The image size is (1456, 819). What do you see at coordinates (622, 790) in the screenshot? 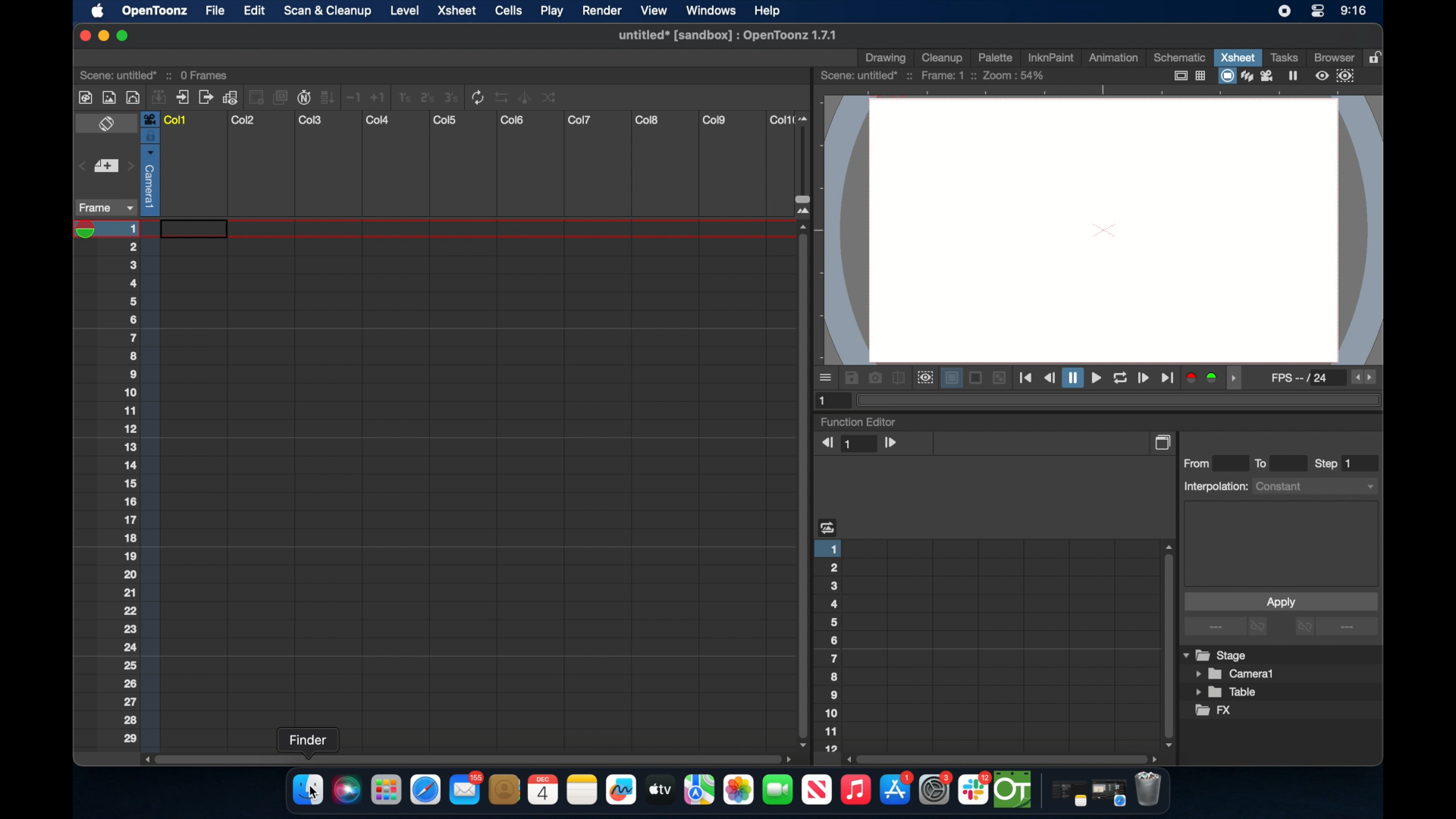
I see `freeform` at bounding box center [622, 790].